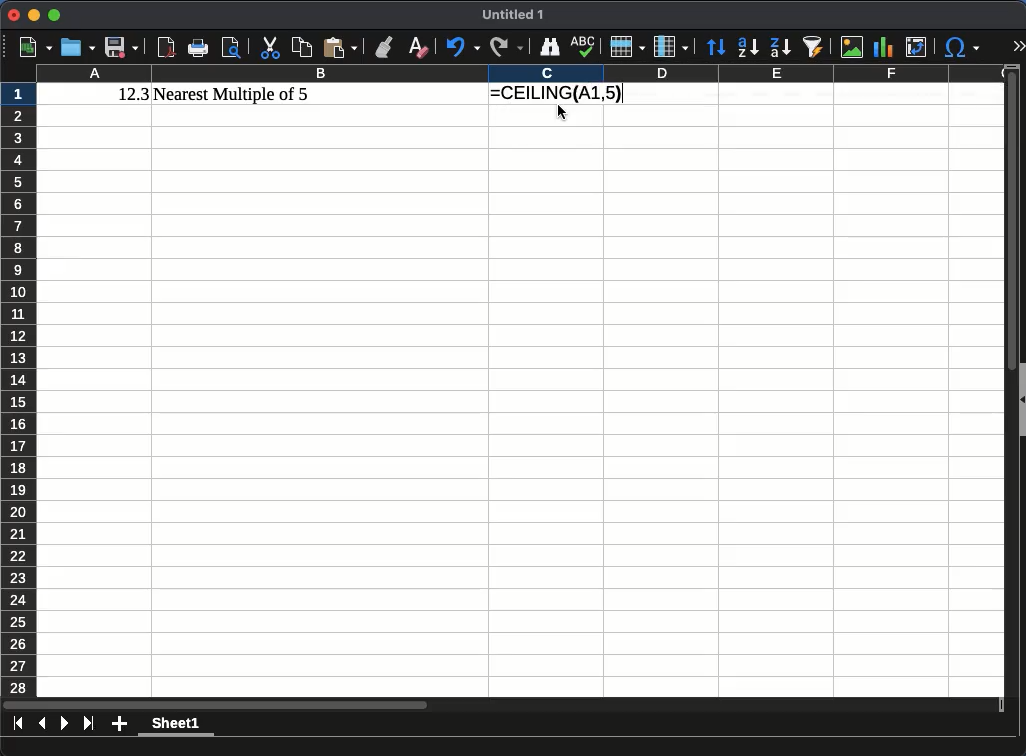  I want to click on maximize, so click(53, 14).